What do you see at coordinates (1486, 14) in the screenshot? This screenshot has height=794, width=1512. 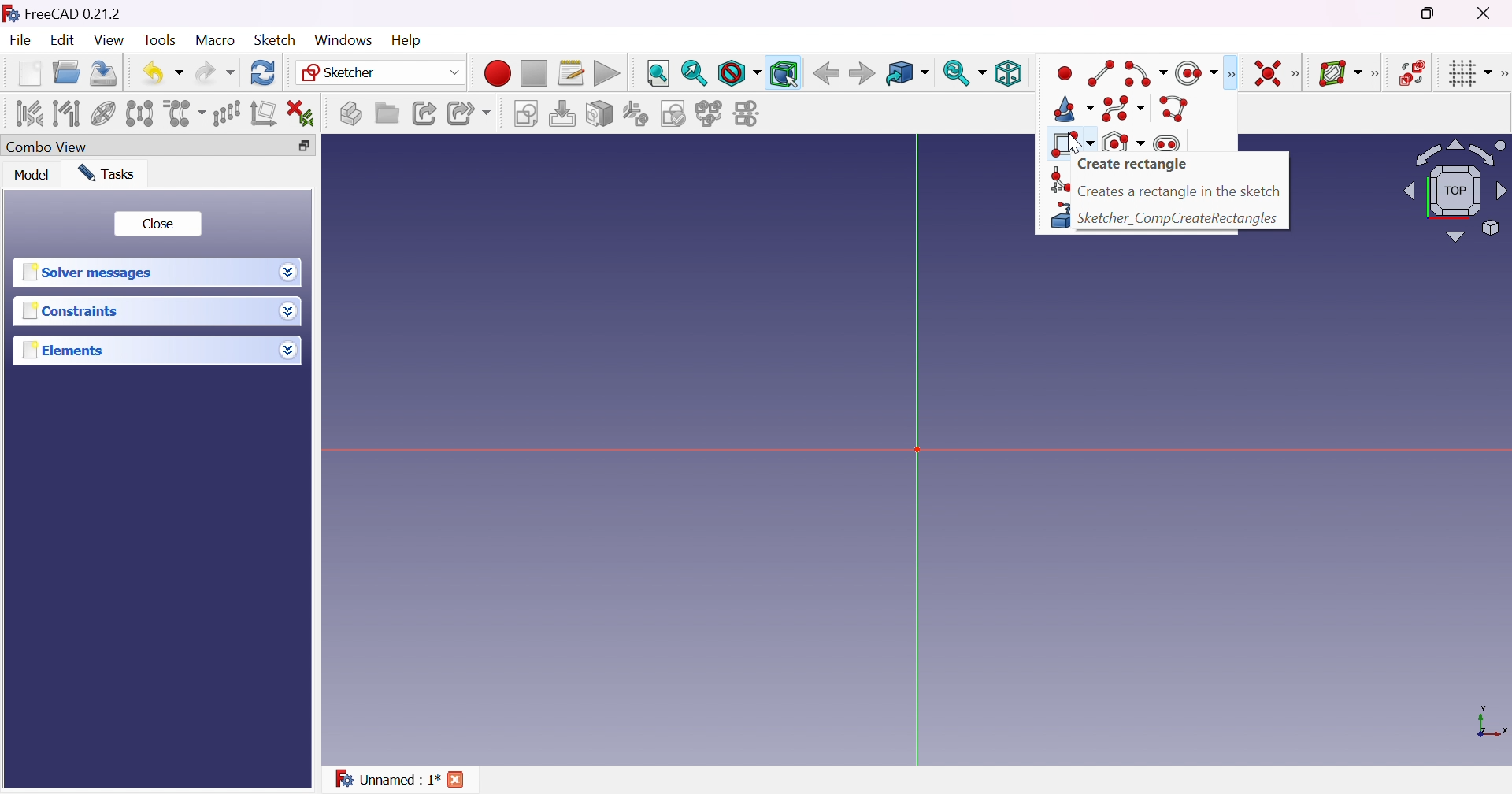 I see `Close` at bounding box center [1486, 14].